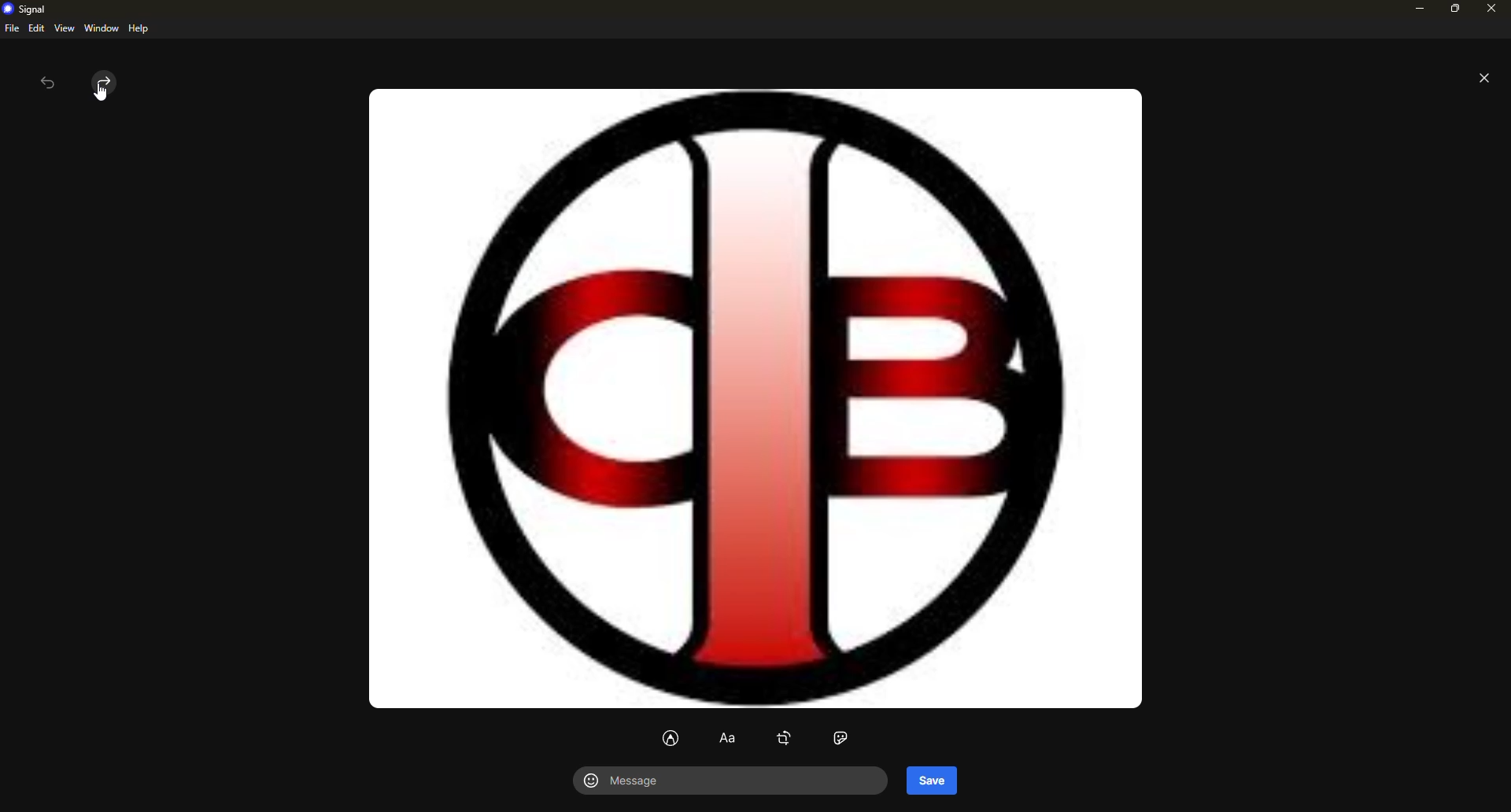 This screenshot has height=812, width=1511. I want to click on view, so click(64, 29).